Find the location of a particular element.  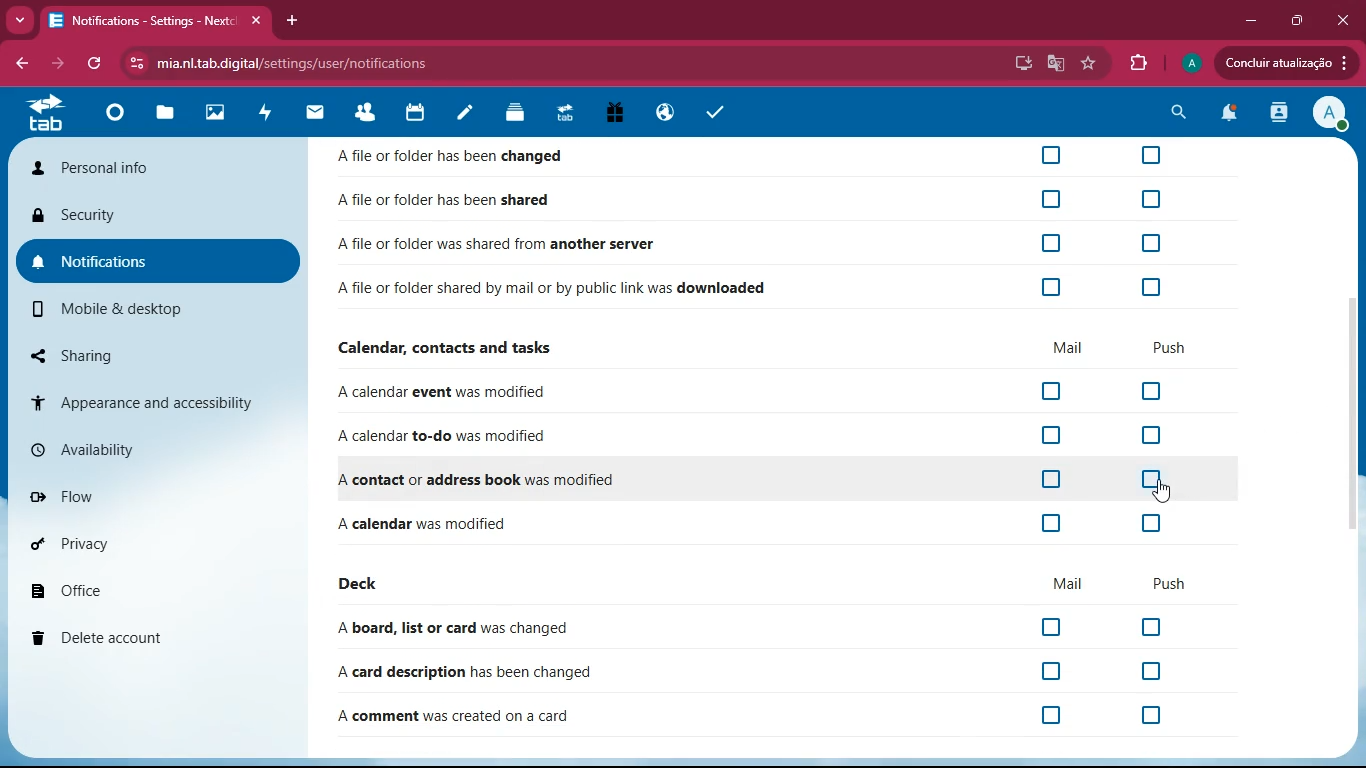

Notifications - Settings - Nextc  is located at coordinates (156, 21).